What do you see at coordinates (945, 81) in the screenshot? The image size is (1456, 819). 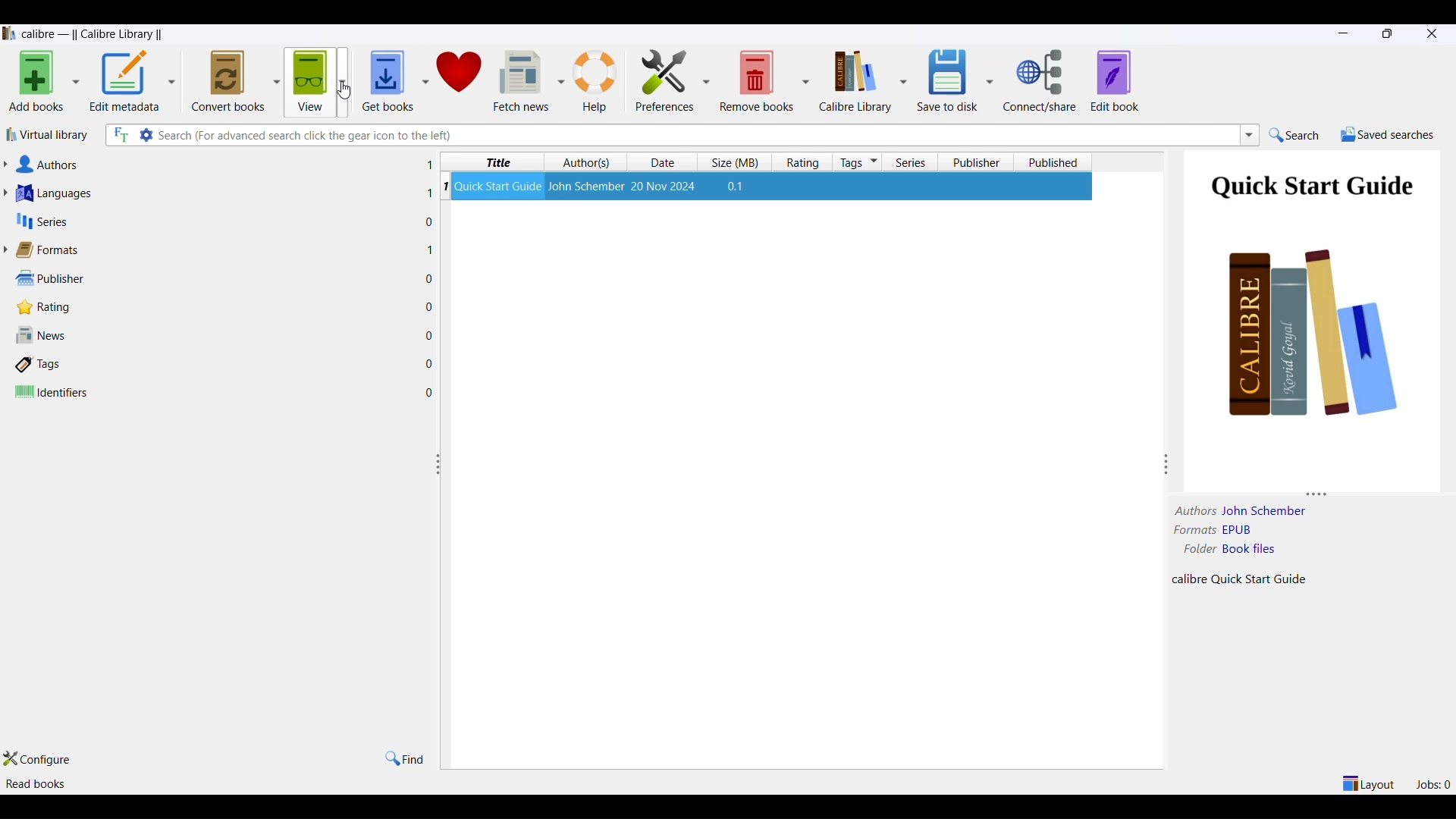 I see `save to disk` at bounding box center [945, 81].